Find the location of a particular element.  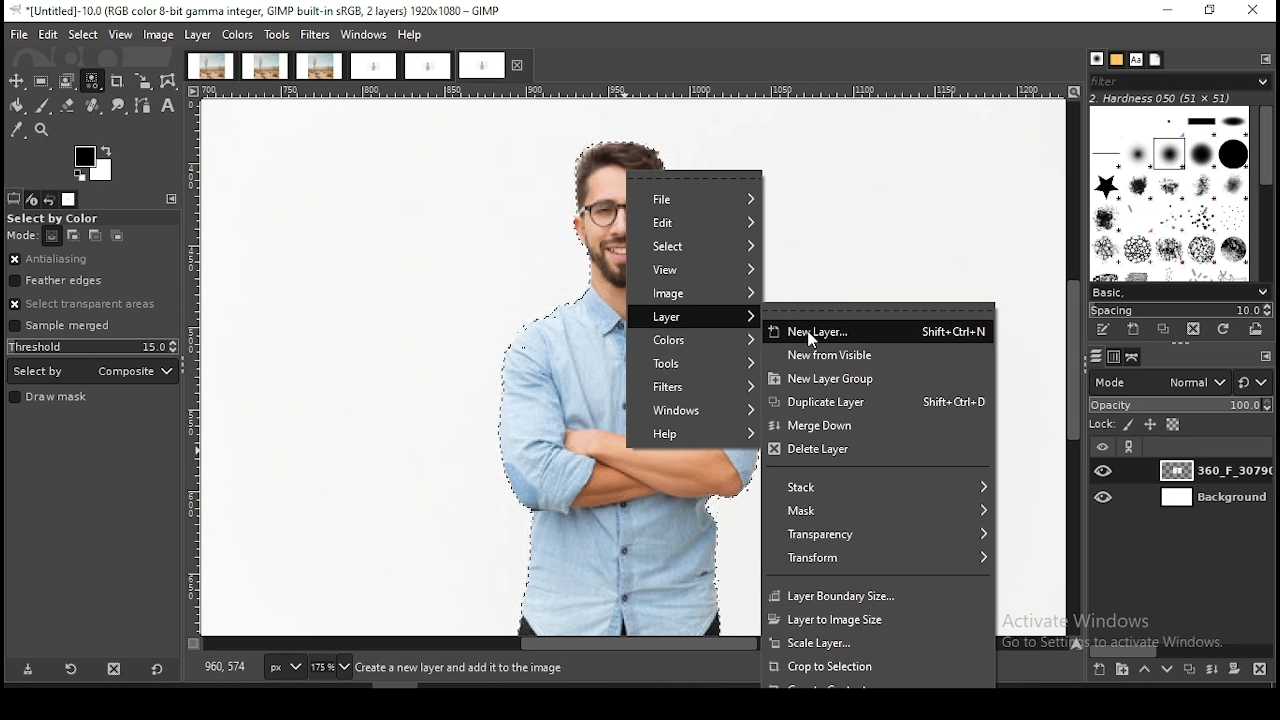

save tool preset is located at coordinates (27, 669).